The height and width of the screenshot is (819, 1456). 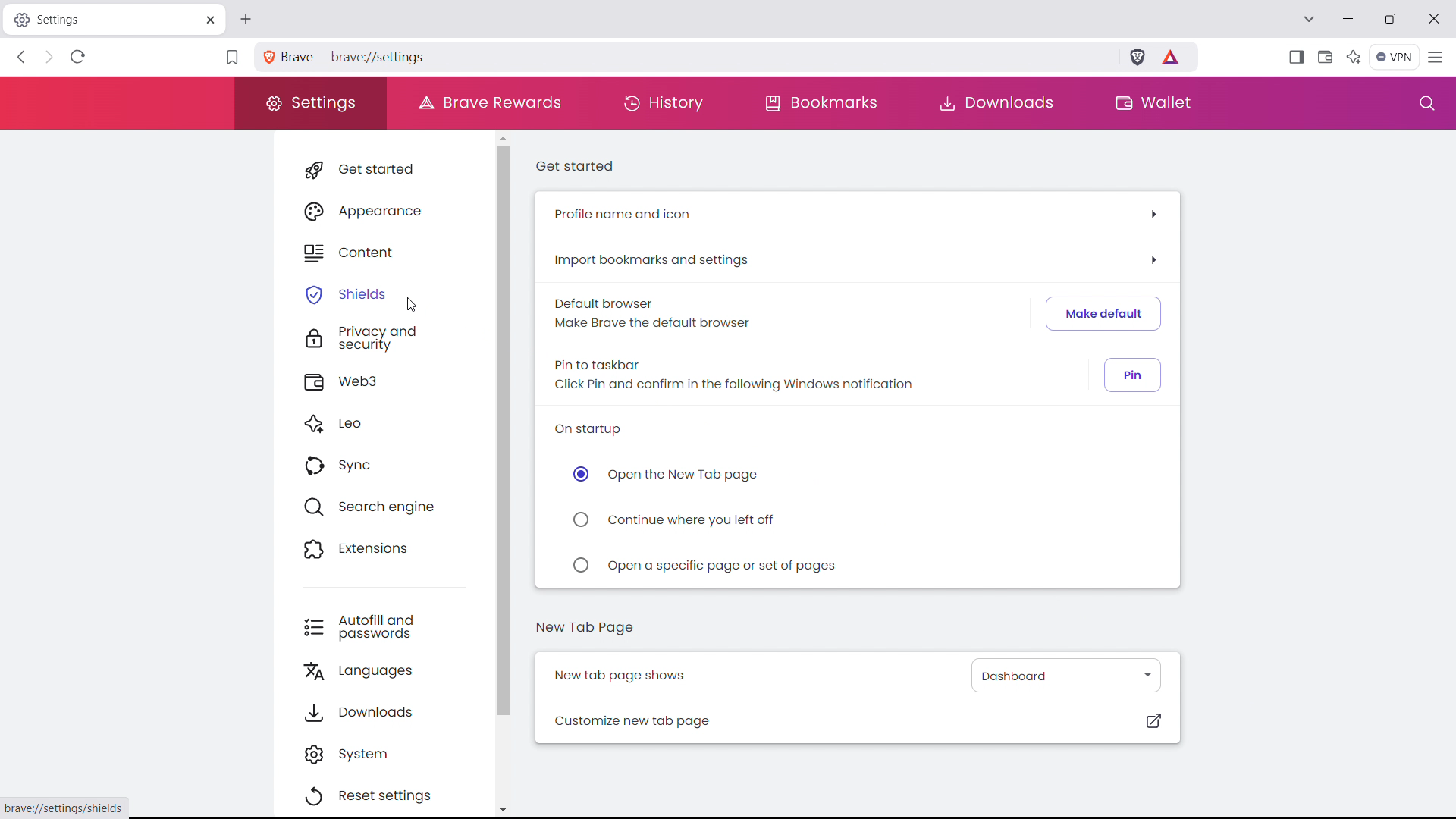 I want to click on languages, so click(x=384, y=670).